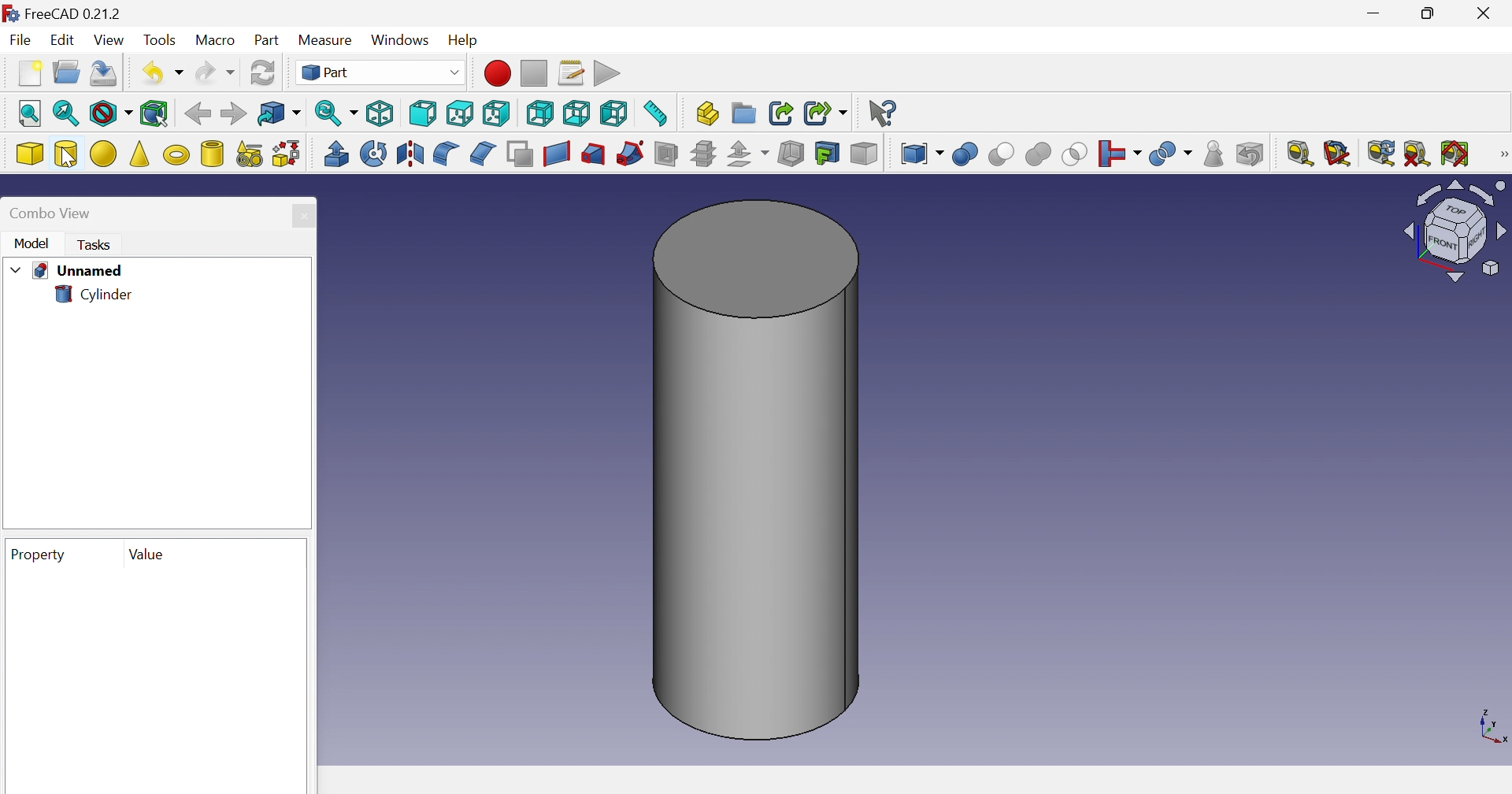 This screenshot has width=1512, height=794. Describe the element at coordinates (999, 154) in the screenshot. I see `Cut` at that location.